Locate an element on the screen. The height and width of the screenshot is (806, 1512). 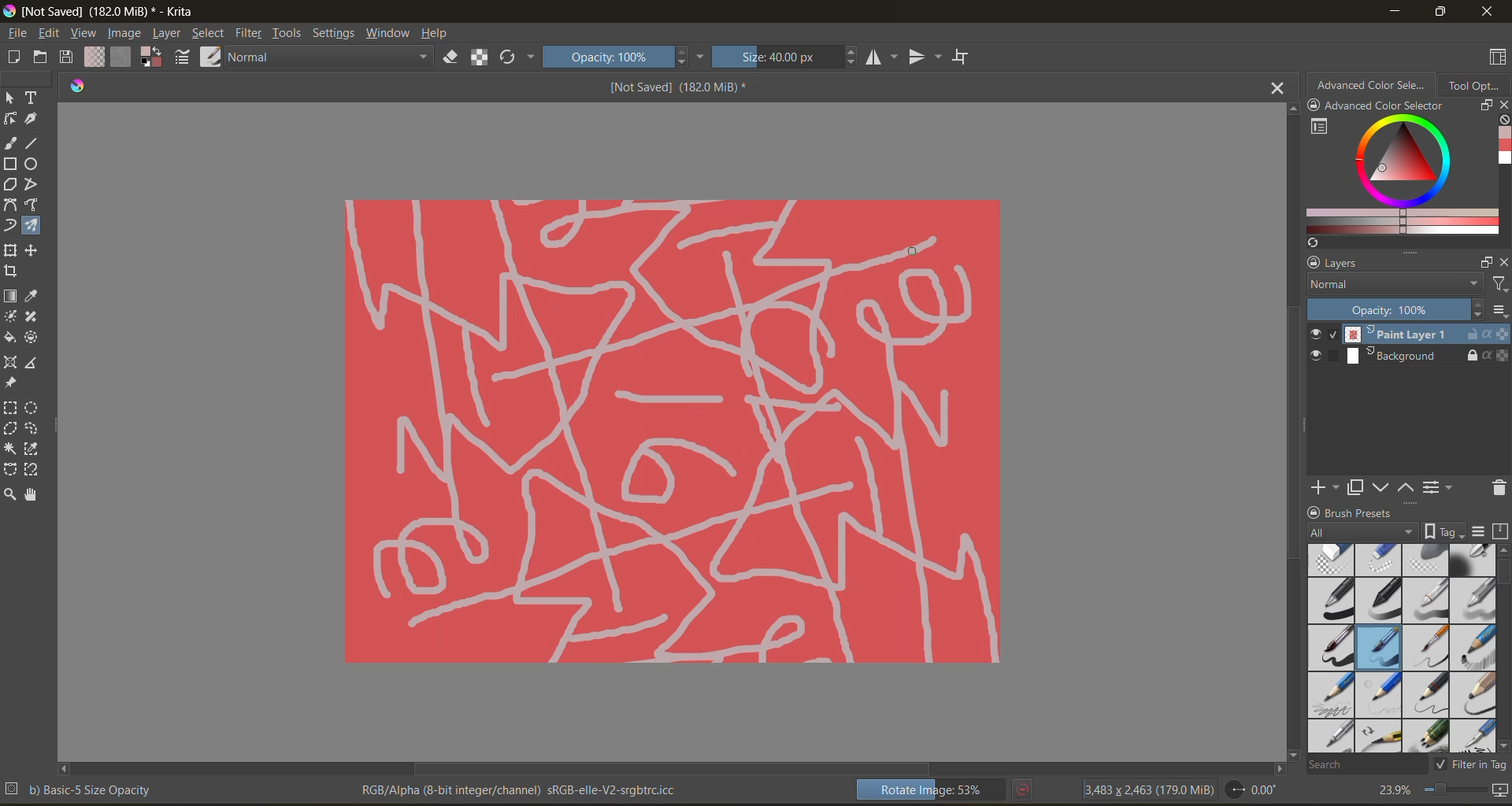
normal is located at coordinates (325, 58).